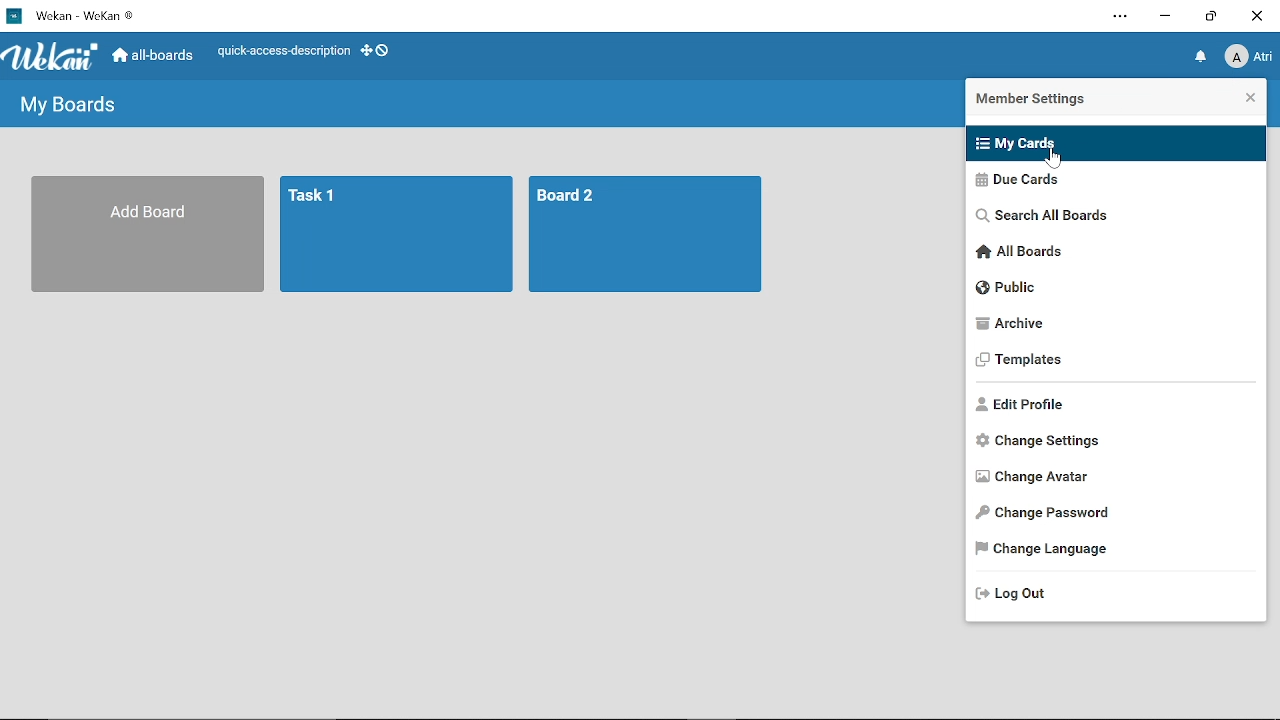  Describe the element at coordinates (1110, 289) in the screenshot. I see `Public` at that location.